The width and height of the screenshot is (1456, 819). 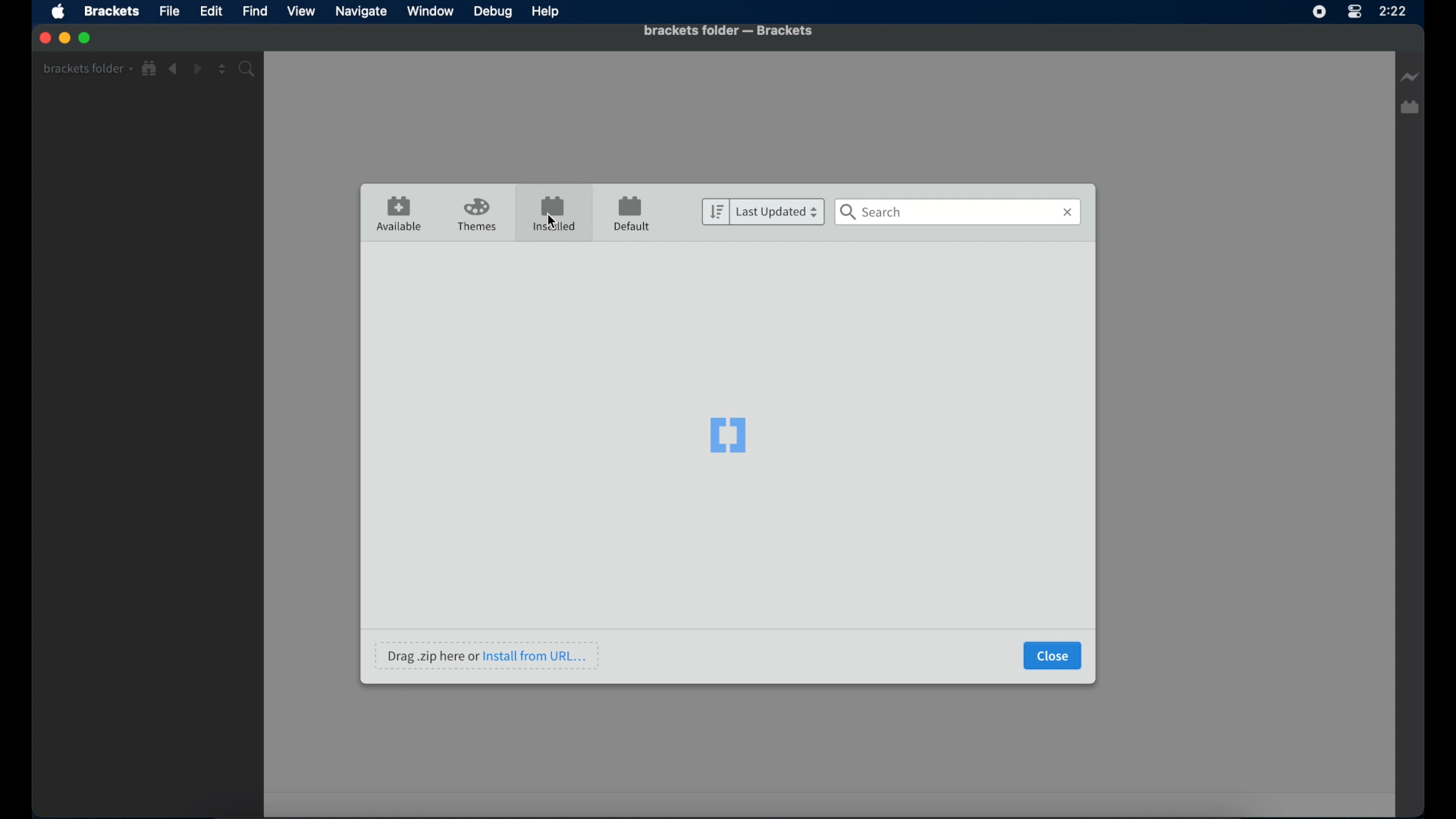 What do you see at coordinates (400, 214) in the screenshot?
I see `available` at bounding box center [400, 214].